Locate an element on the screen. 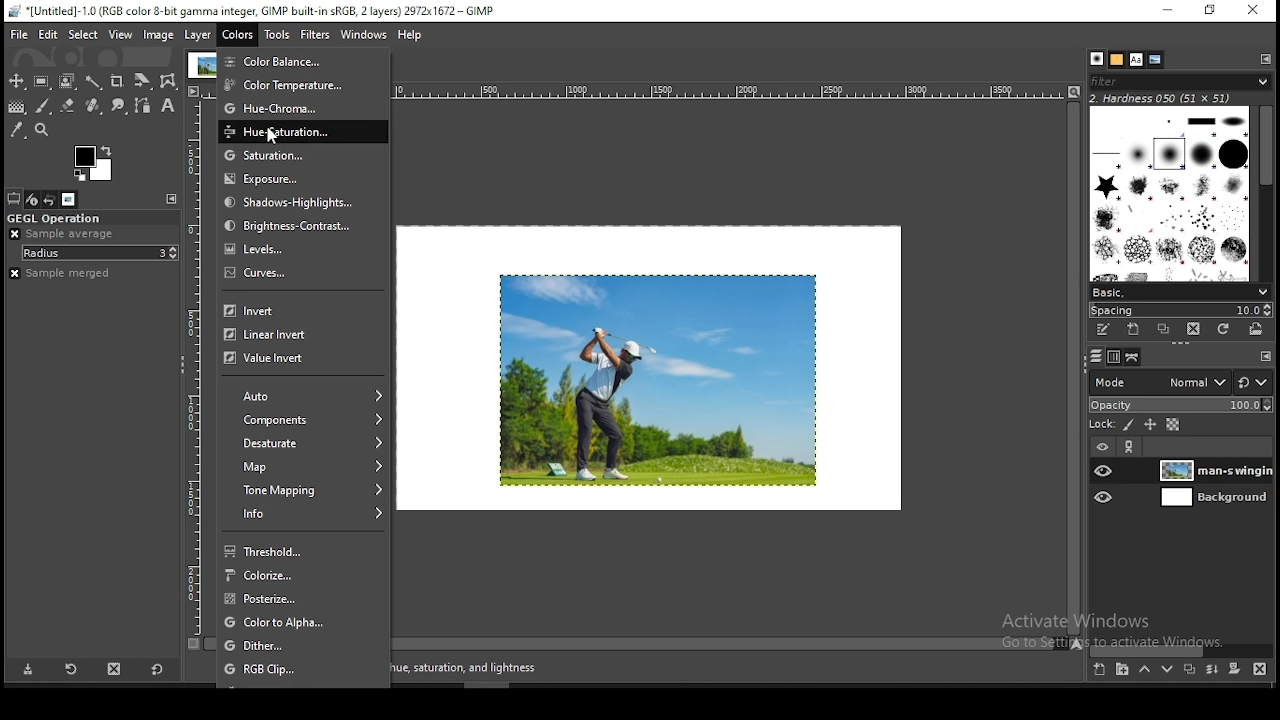 Image resolution: width=1280 pixels, height=720 pixels. linear invert is located at coordinates (306, 333).